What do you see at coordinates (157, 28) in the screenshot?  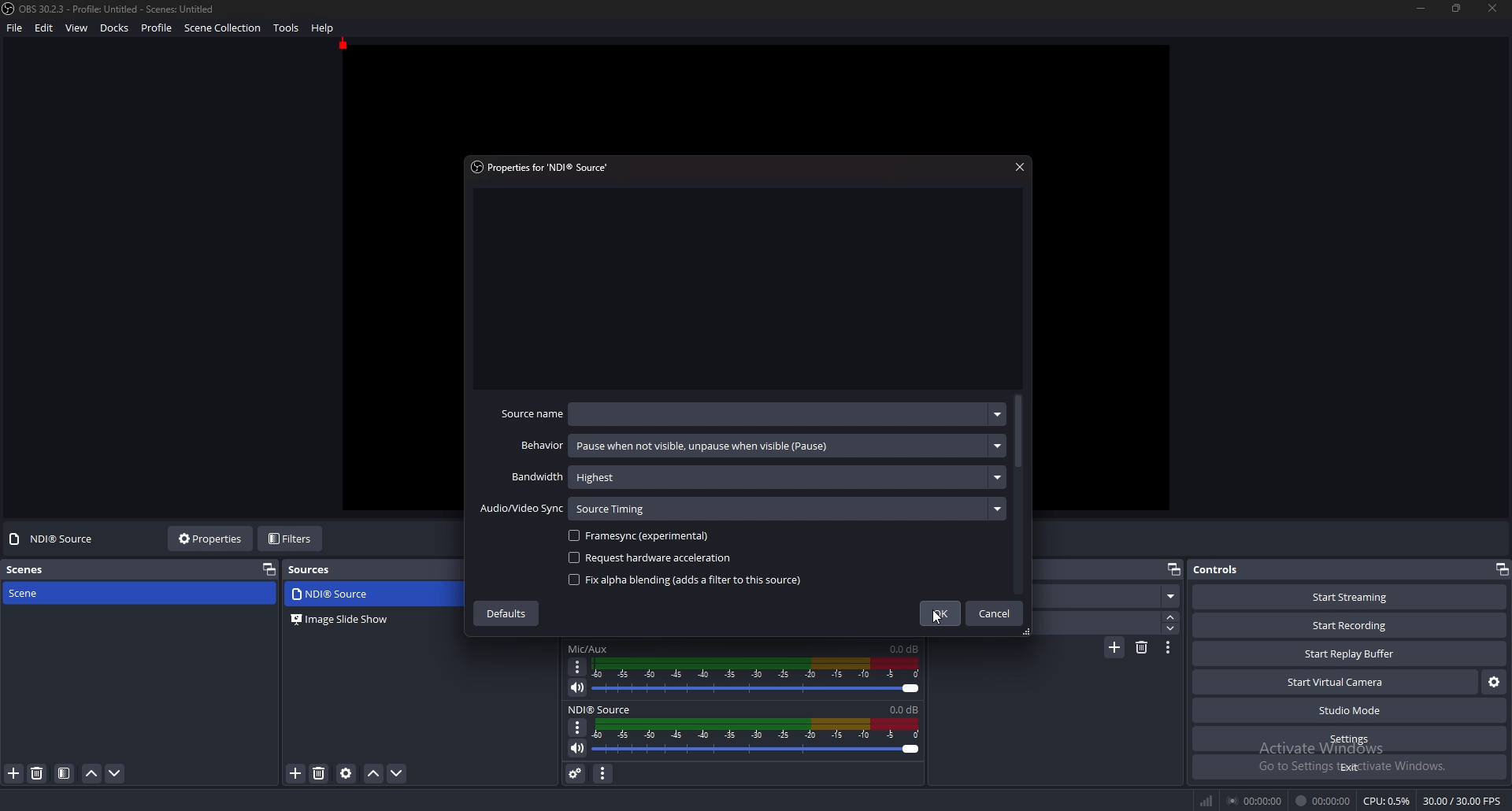 I see `profile` at bounding box center [157, 28].